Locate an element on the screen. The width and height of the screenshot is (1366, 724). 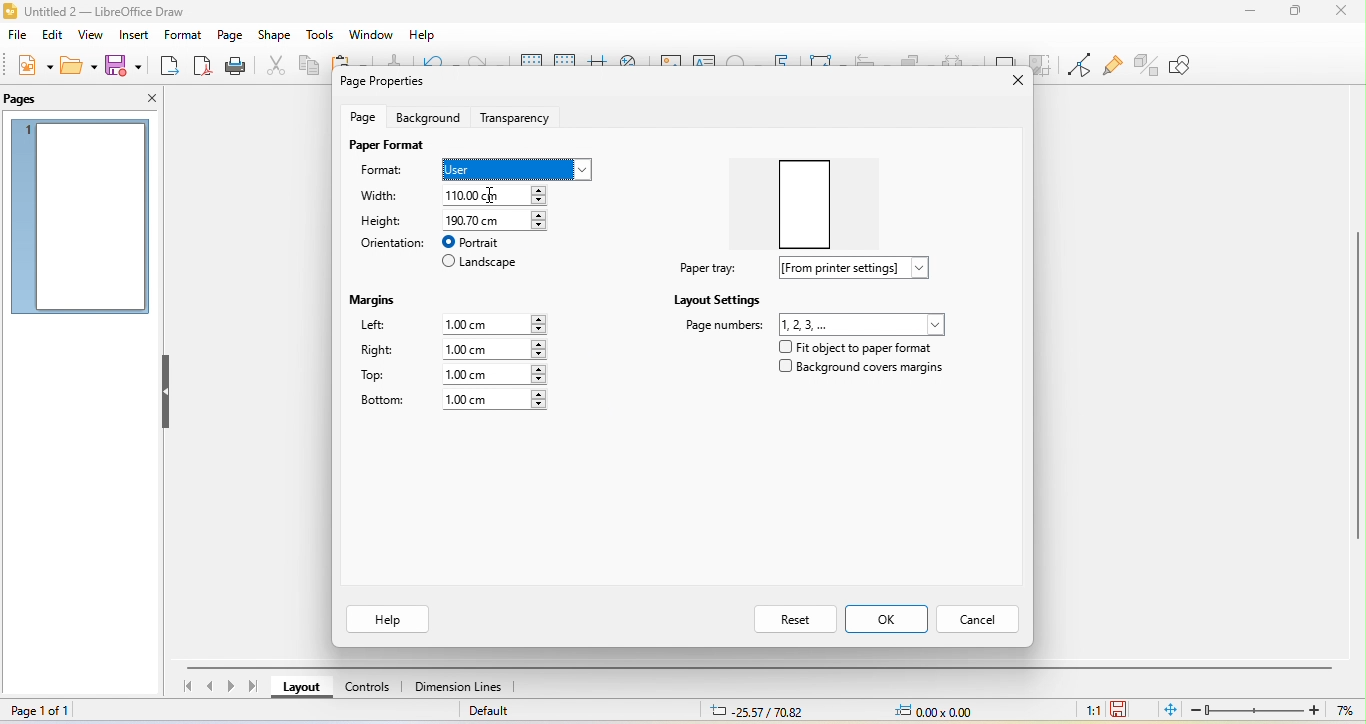
dimension line is located at coordinates (459, 688).